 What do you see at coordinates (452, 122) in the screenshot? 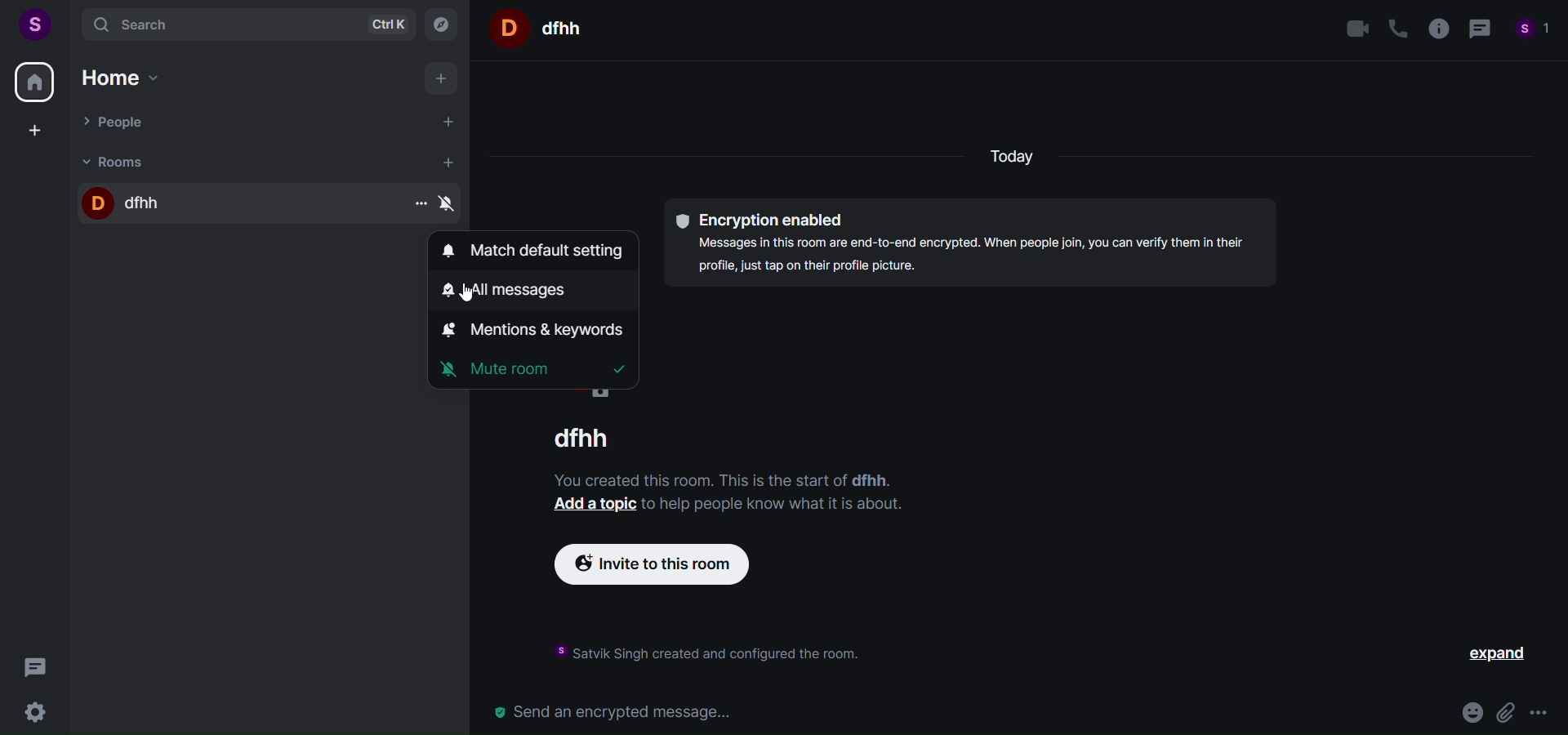
I see `start chat` at bounding box center [452, 122].